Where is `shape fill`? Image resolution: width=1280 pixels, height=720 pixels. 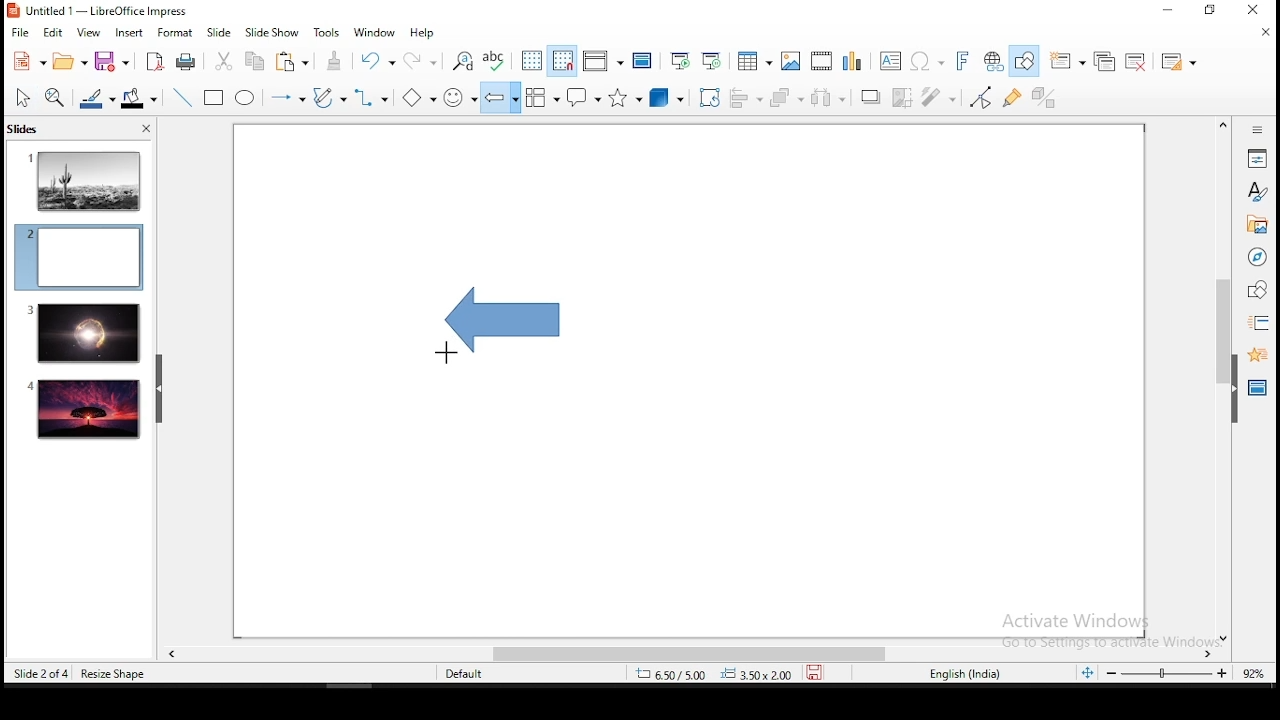 shape fill is located at coordinates (138, 100).